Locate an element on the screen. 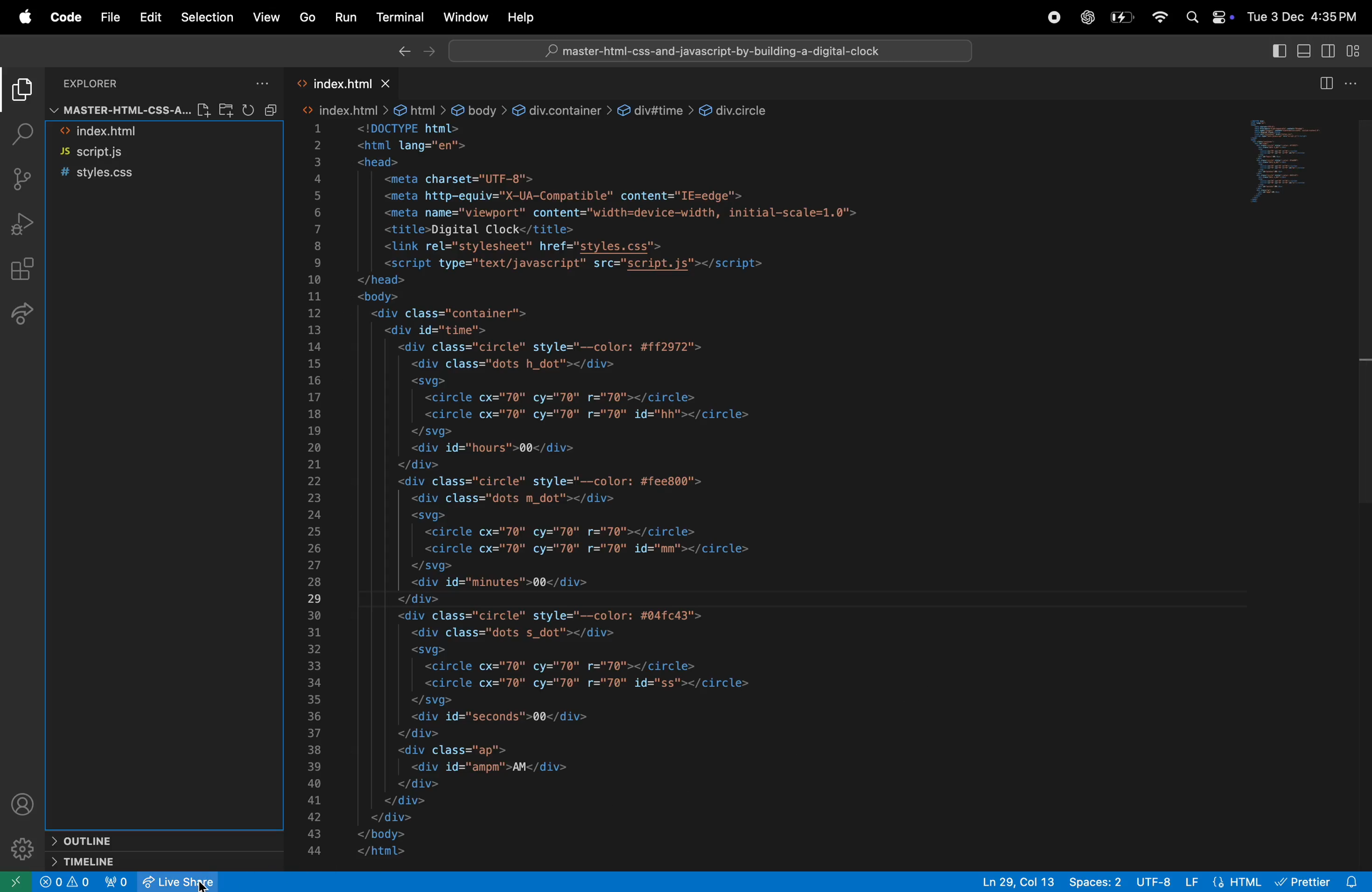 The width and height of the screenshot is (1372, 892). preview window is located at coordinates (1294, 164).